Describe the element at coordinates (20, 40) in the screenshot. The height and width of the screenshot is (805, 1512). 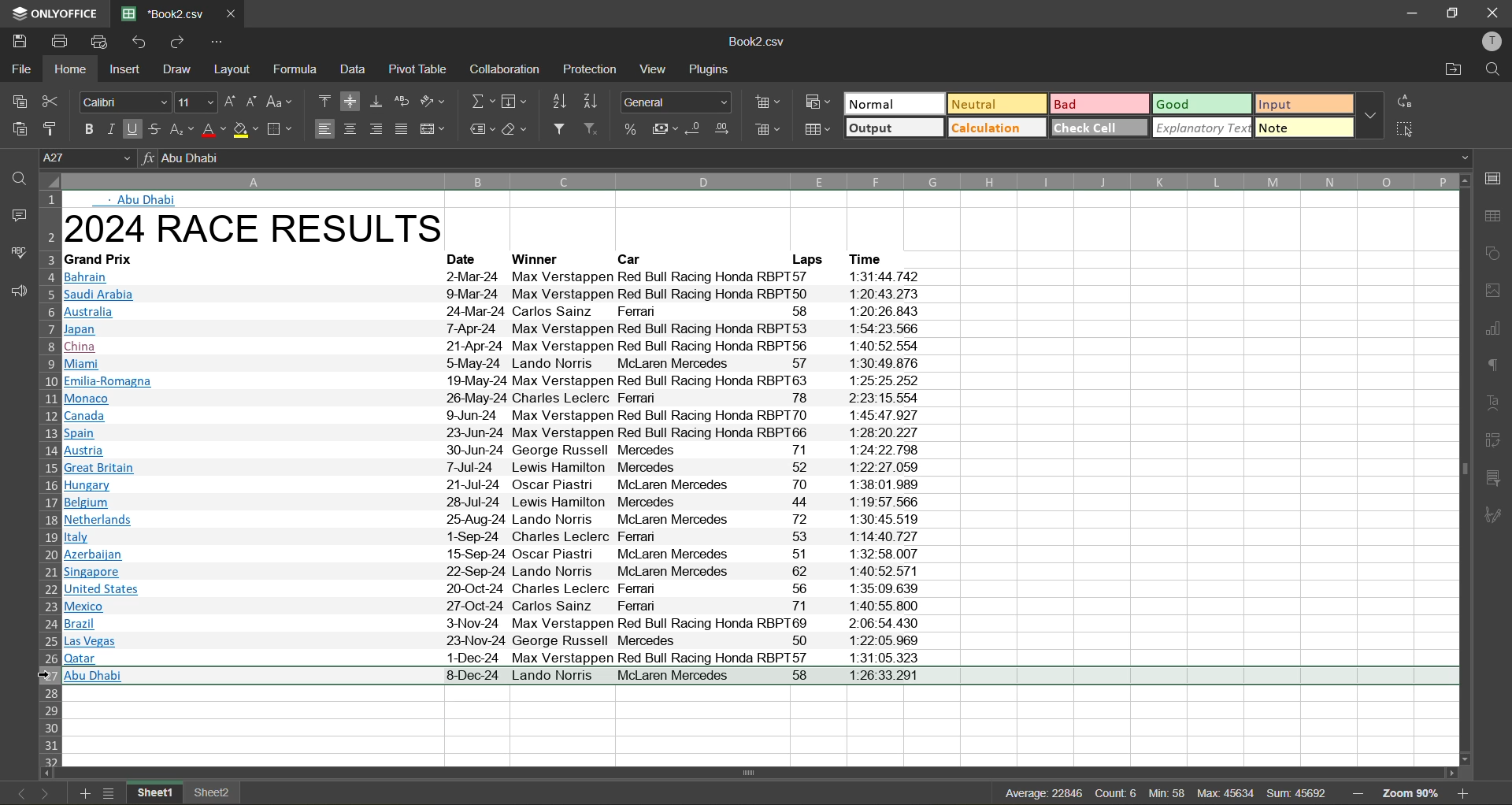
I see `save` at that location.